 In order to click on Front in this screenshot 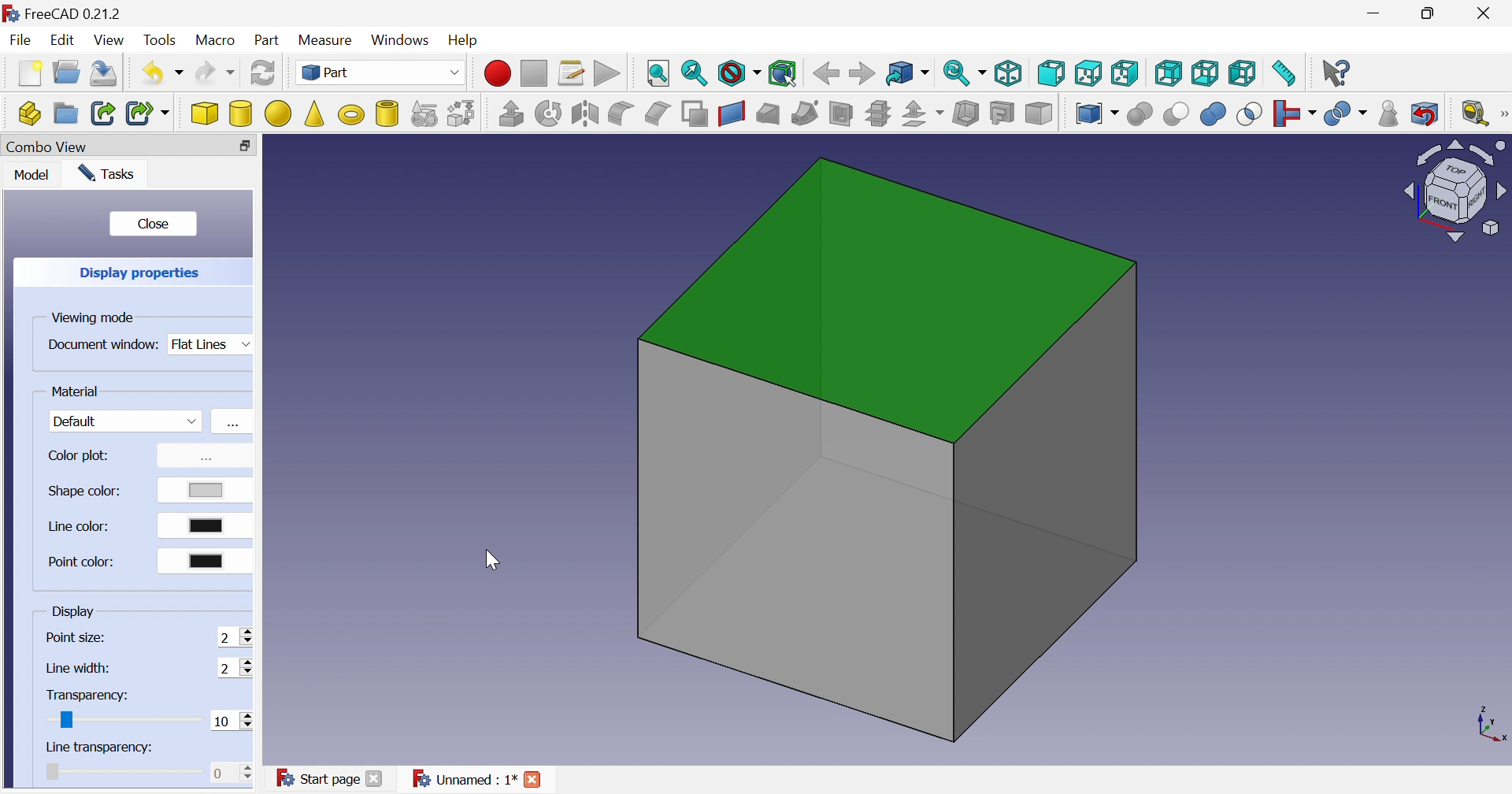, I will do `click(1051, 75)`.